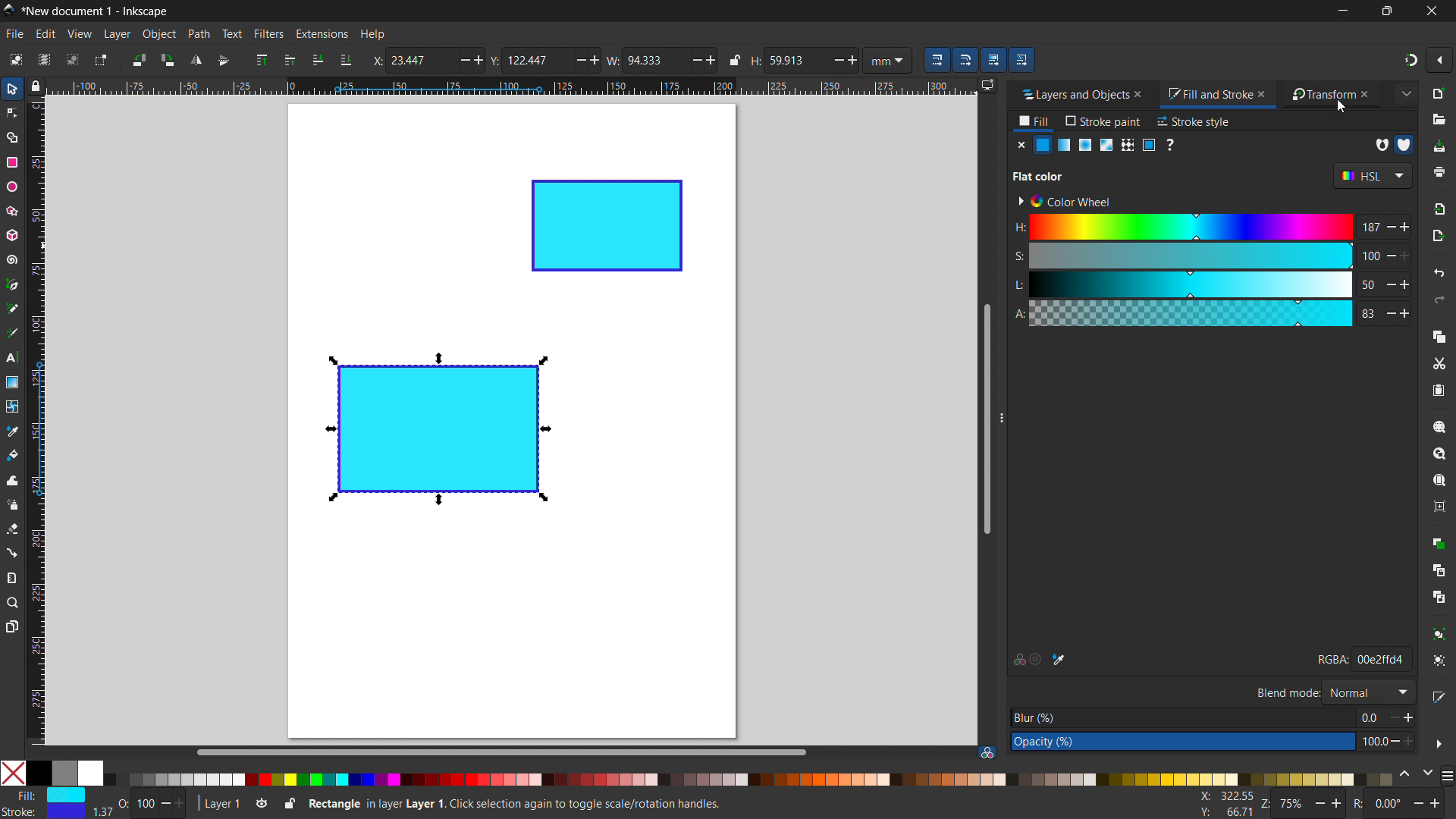 This screenshot has width=1456, height=819. Describe the element at coordinates (14, 59) in the screenshot. I see `select all` at that location.